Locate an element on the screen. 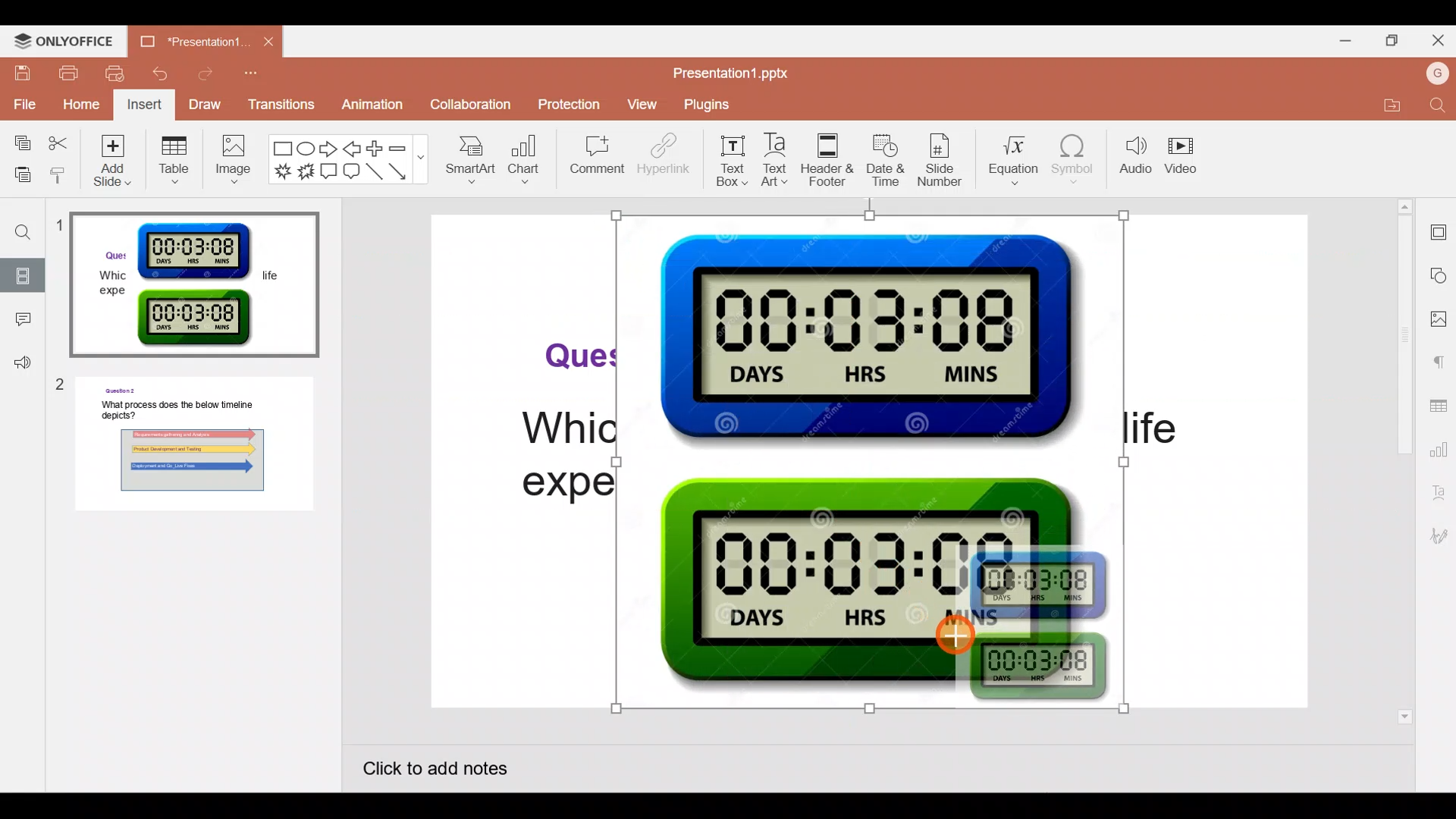 The width and height of the screenshot is (1456, 819). Slide settings is located at coordinates (1439, 230).